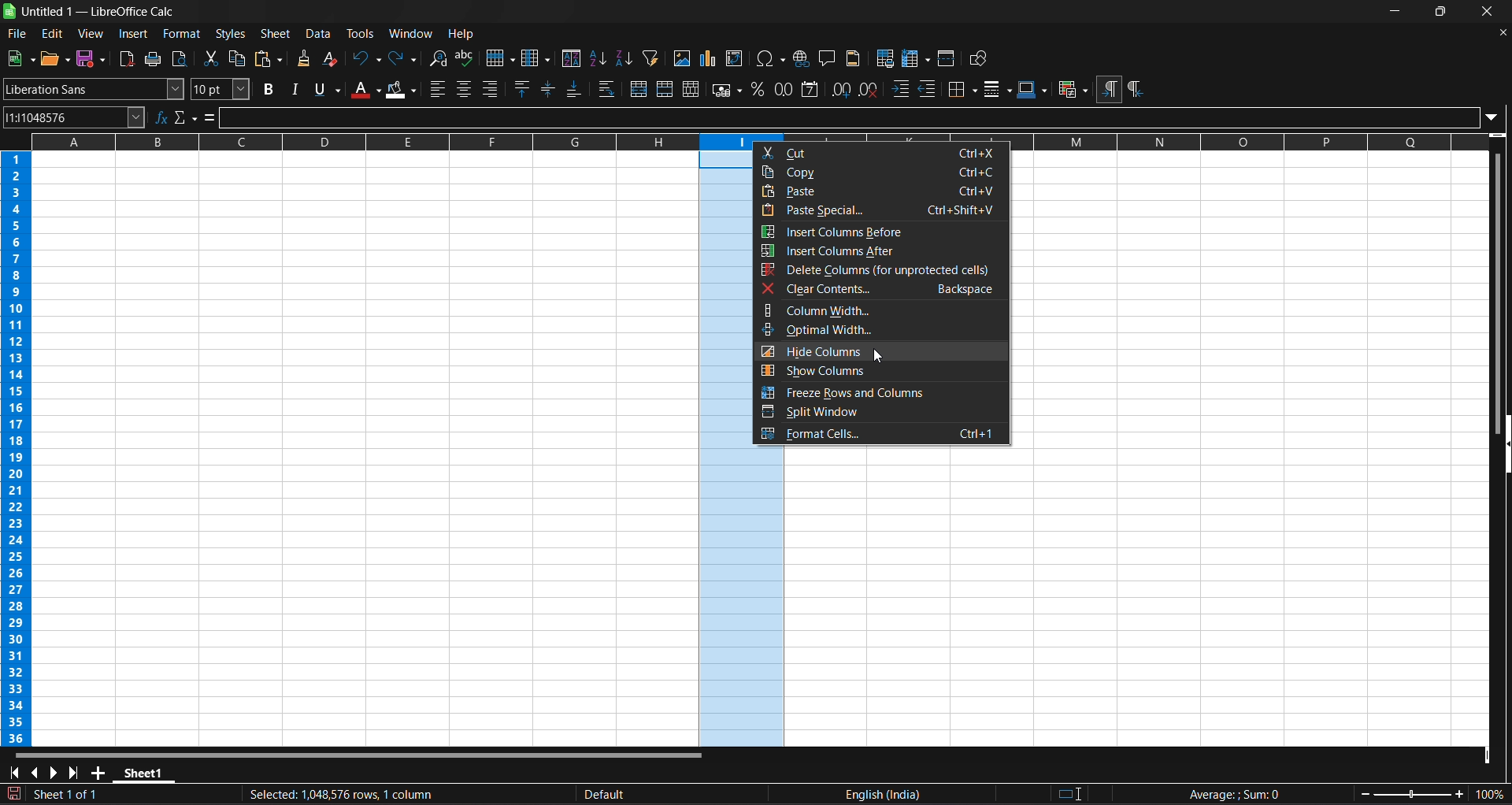 The image size is (1512, 805). Describe the element at coordinates (880, 171) in the screenshot. I see `copy` at that location.